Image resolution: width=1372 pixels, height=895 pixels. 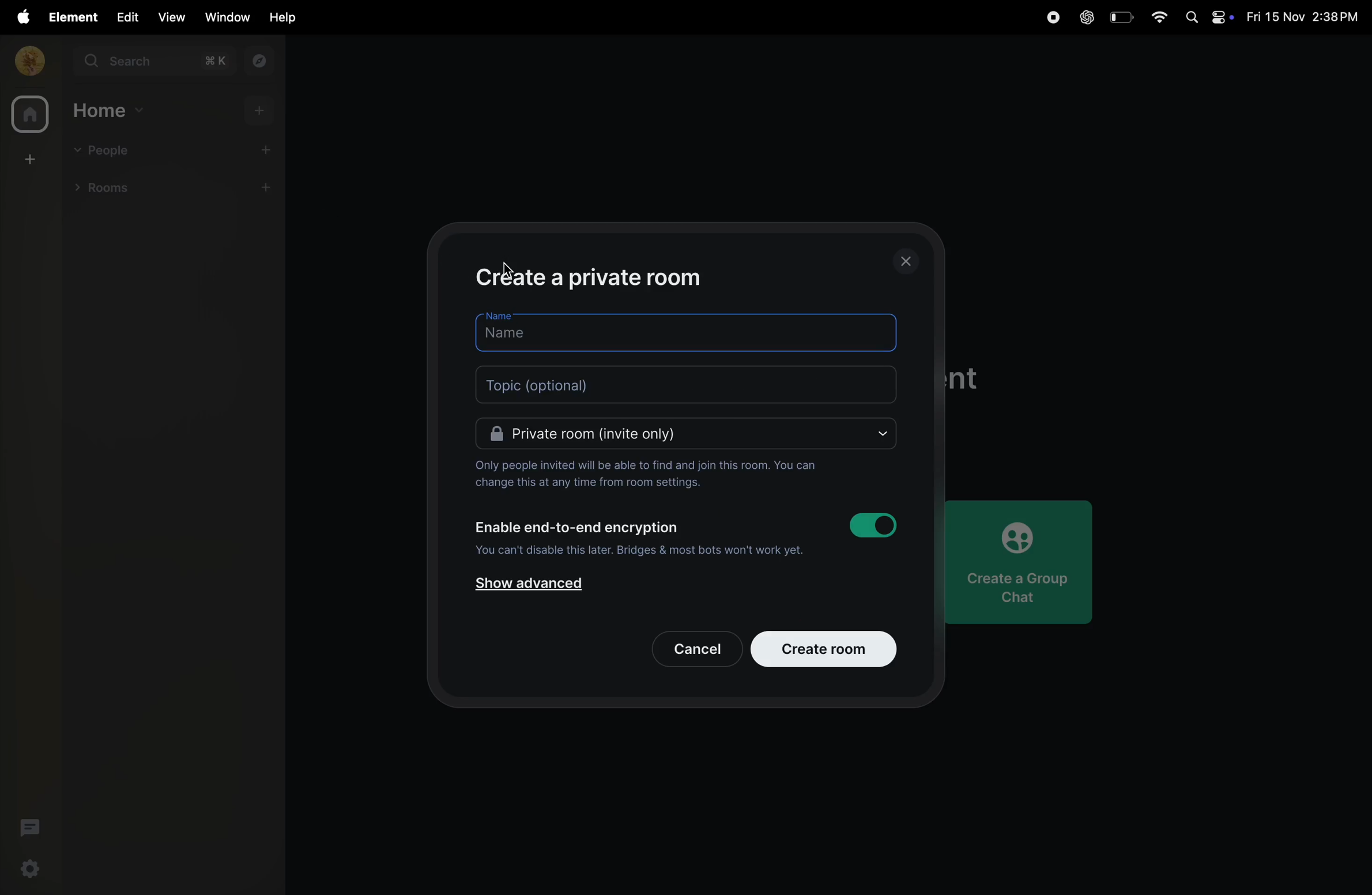 I want to click on edit, so click(x=125, y=16).